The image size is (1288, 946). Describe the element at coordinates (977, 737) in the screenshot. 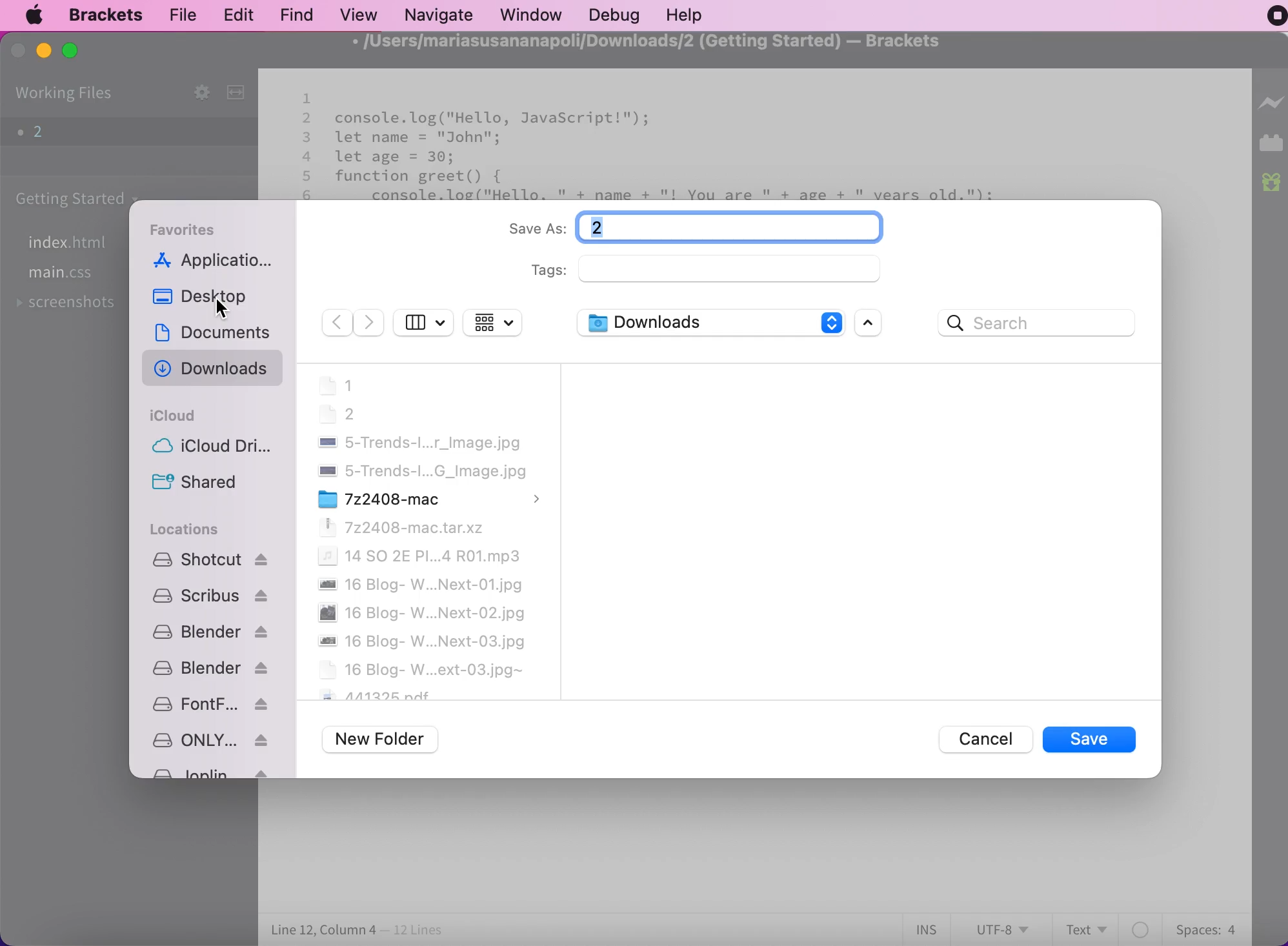

I see `cancel` at that location.